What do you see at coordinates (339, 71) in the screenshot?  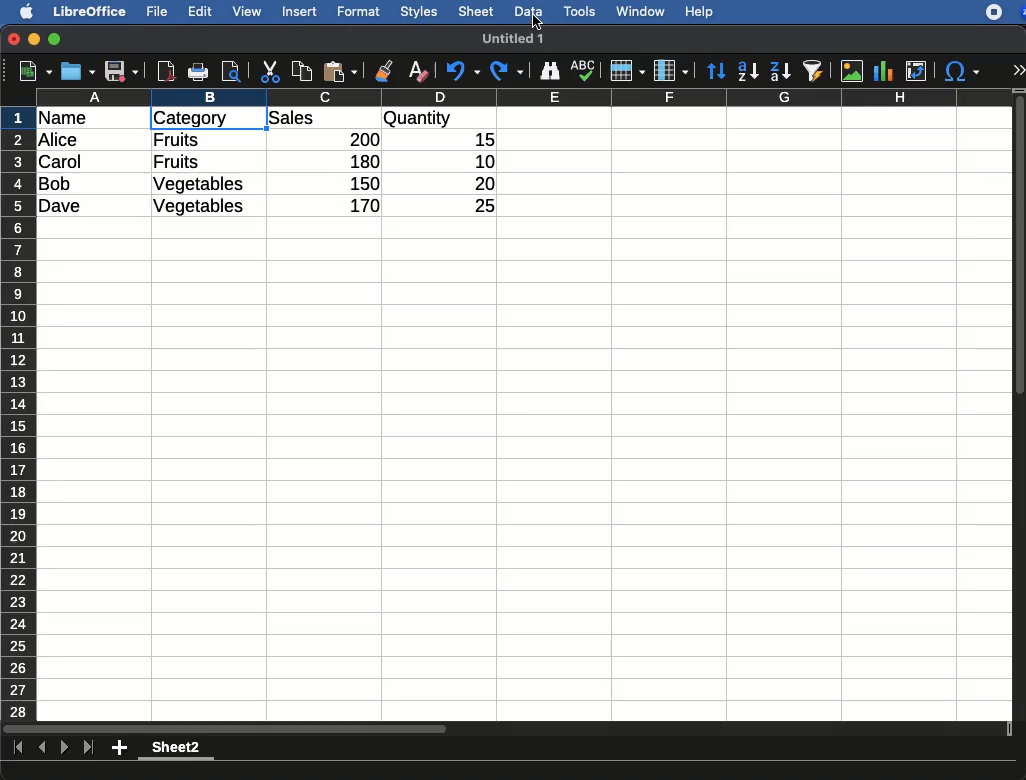 I see `paste` at bounding box center [339, 71].